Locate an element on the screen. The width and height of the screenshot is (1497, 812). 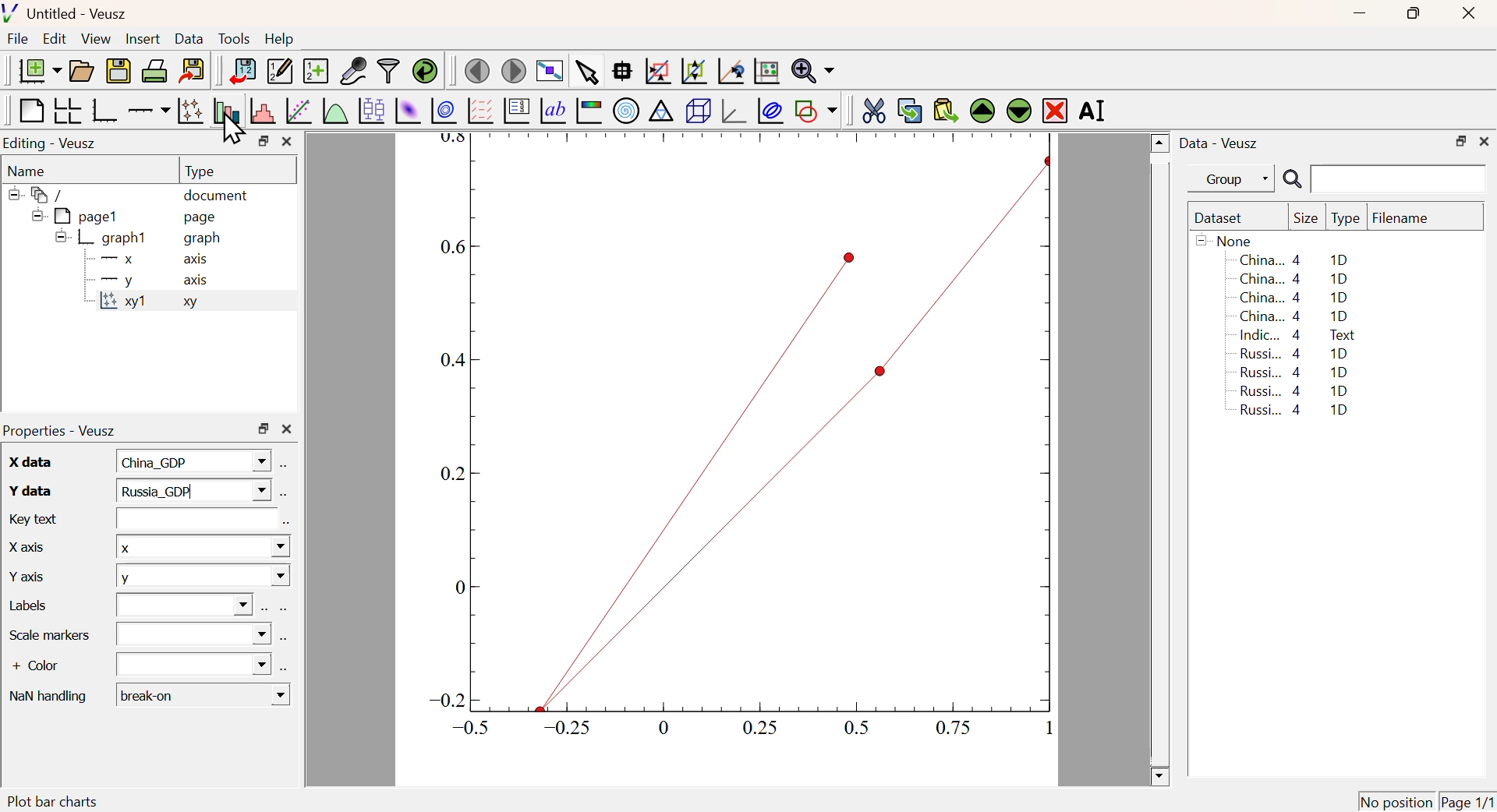
Russi... 4 1D is located at coordinates (1294, 372).